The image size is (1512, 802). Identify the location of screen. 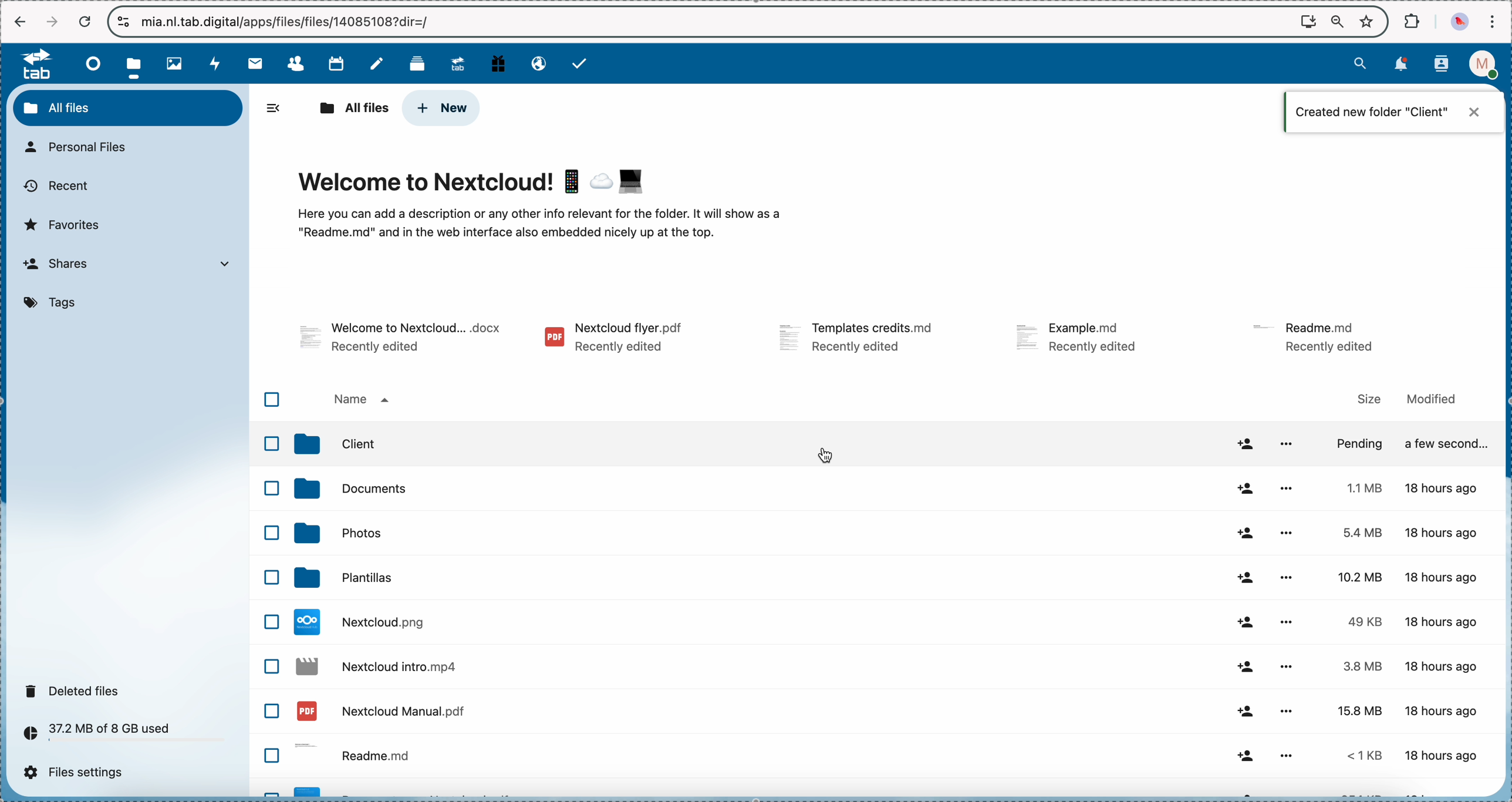
(1308, 21).